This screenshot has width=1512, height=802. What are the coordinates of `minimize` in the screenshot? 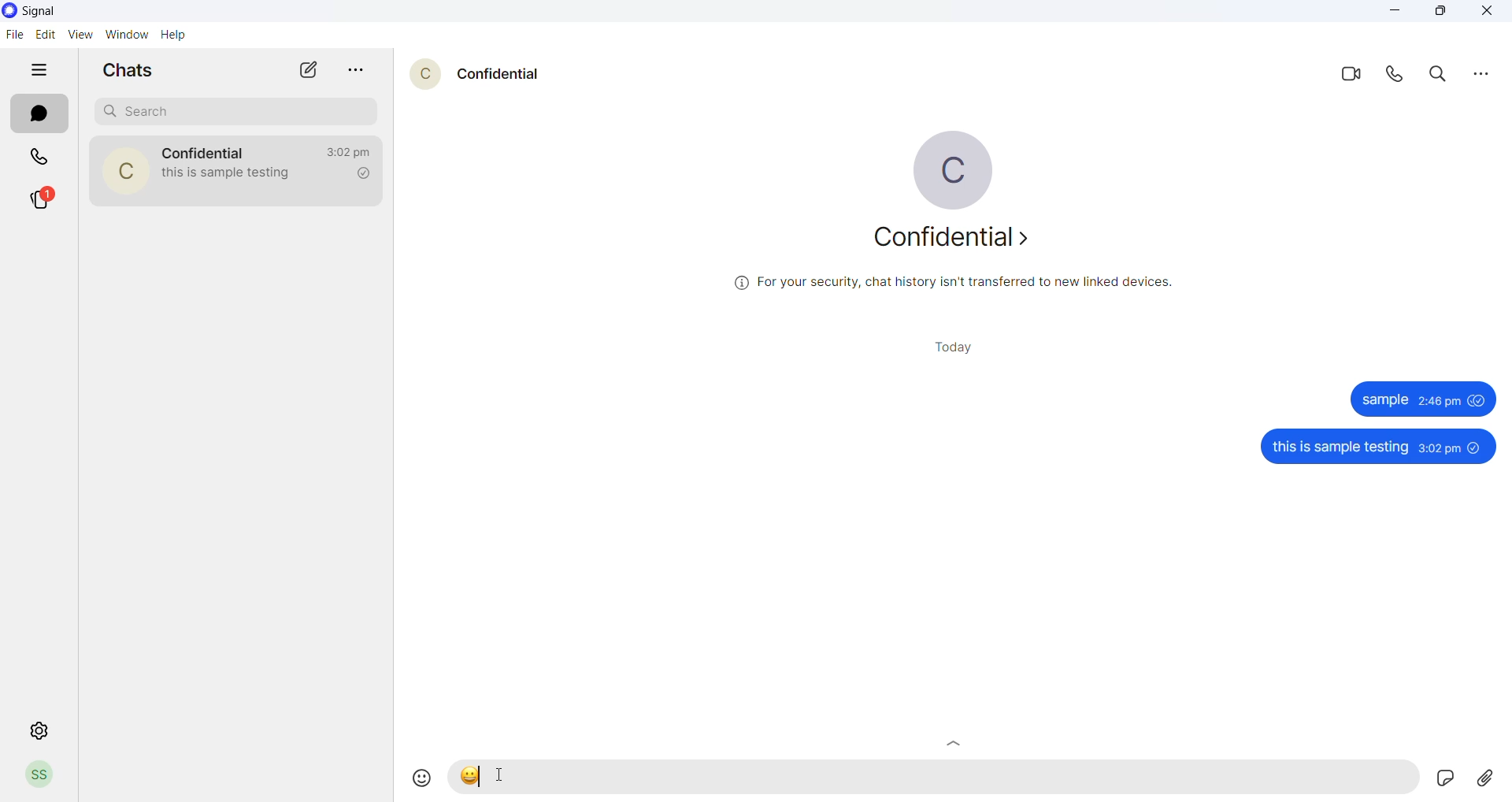 It's located at (1391, 13).